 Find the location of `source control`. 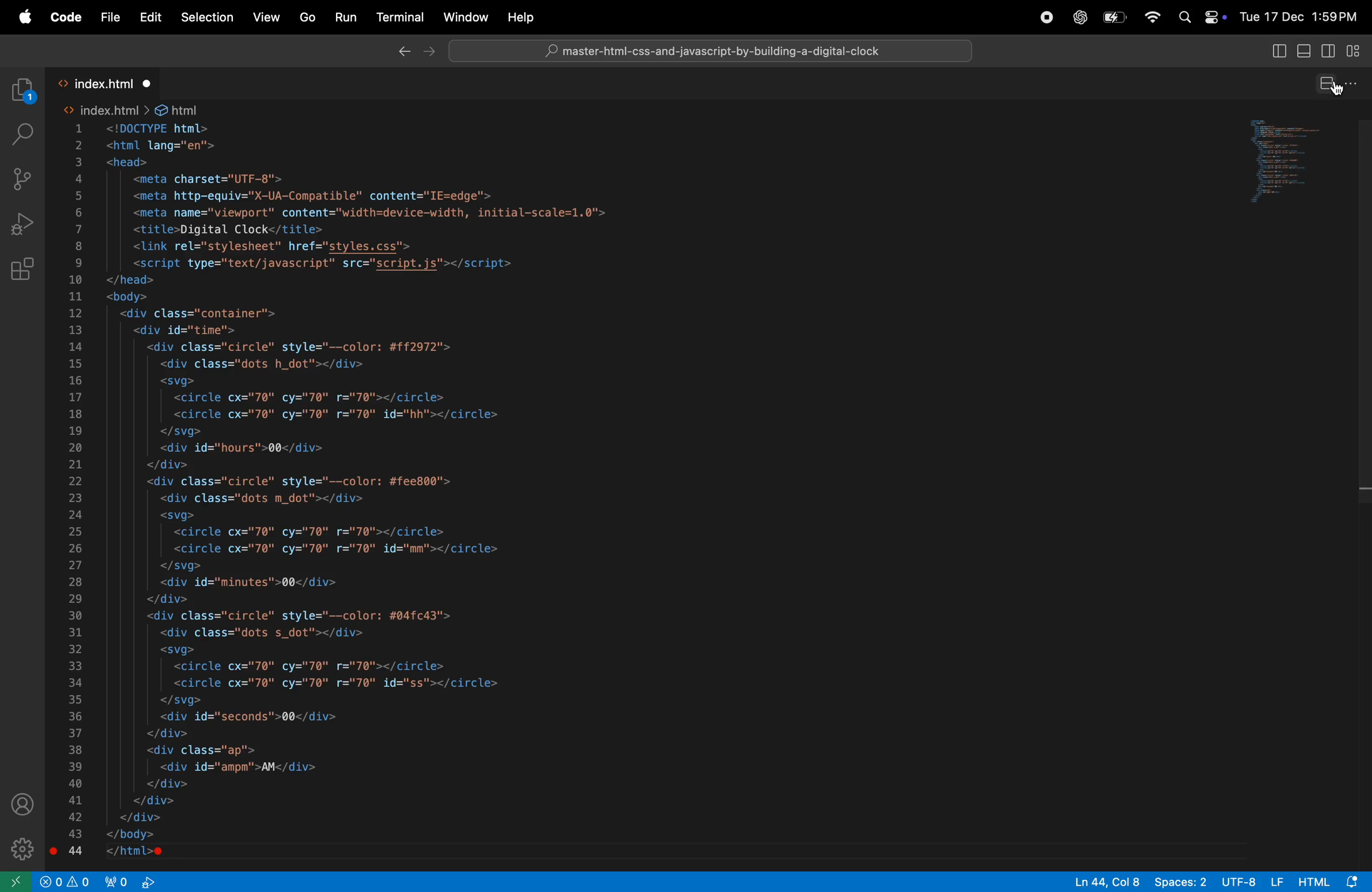

source control is located at coordinates (22, 177).